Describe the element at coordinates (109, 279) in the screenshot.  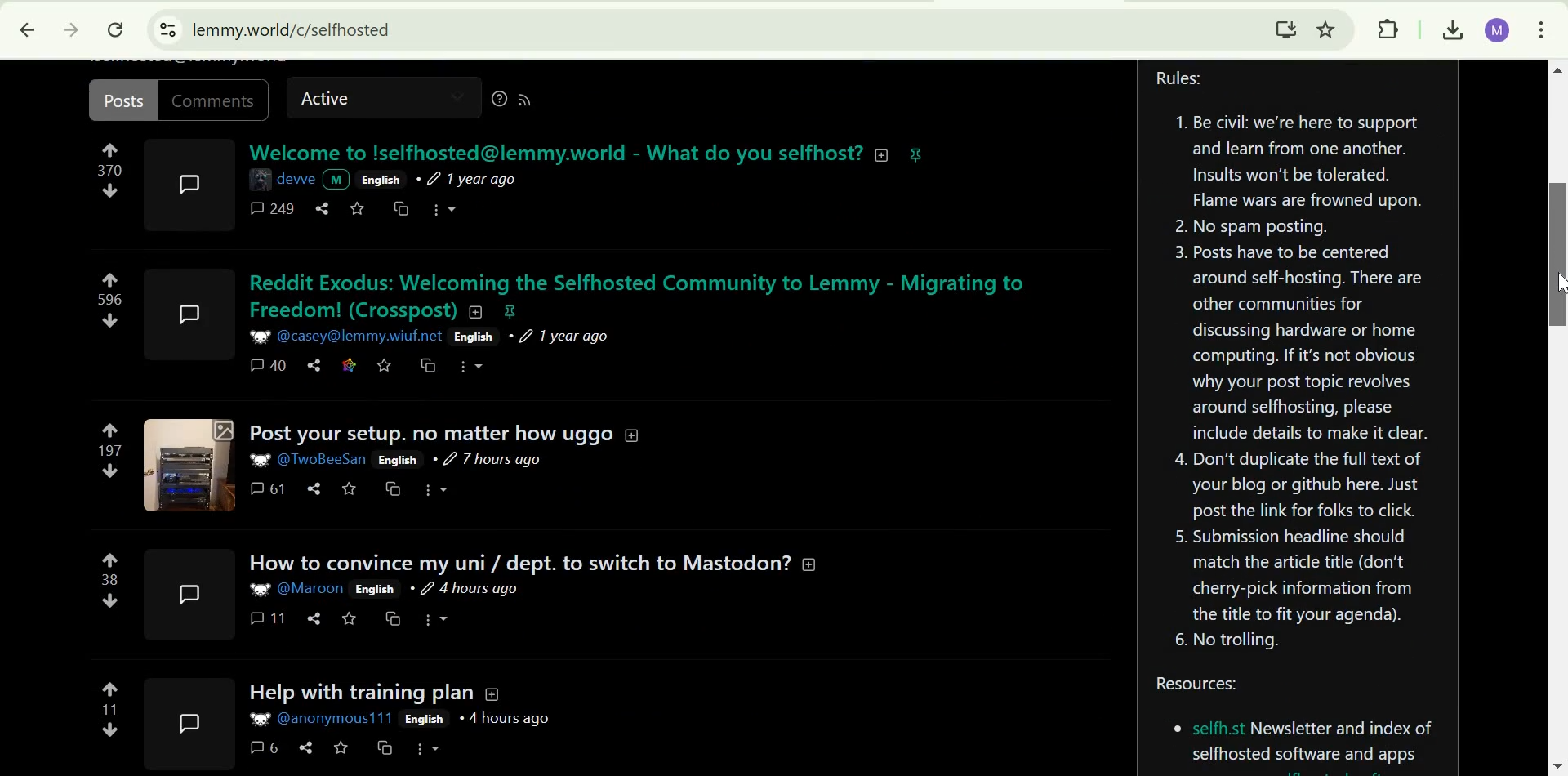
I see `upvote` at that location.